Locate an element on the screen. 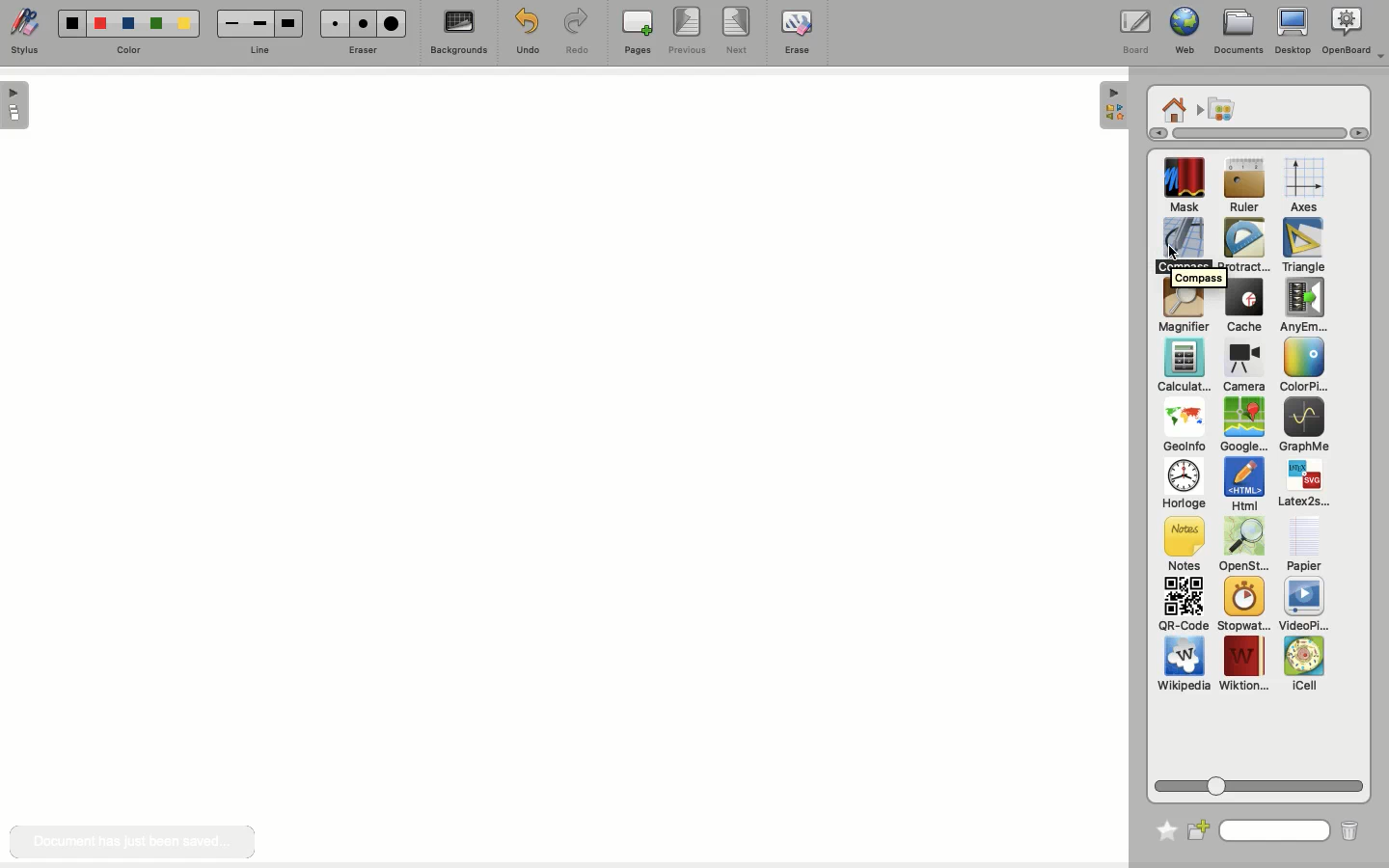  compass is located at coordinates (1198, 278).